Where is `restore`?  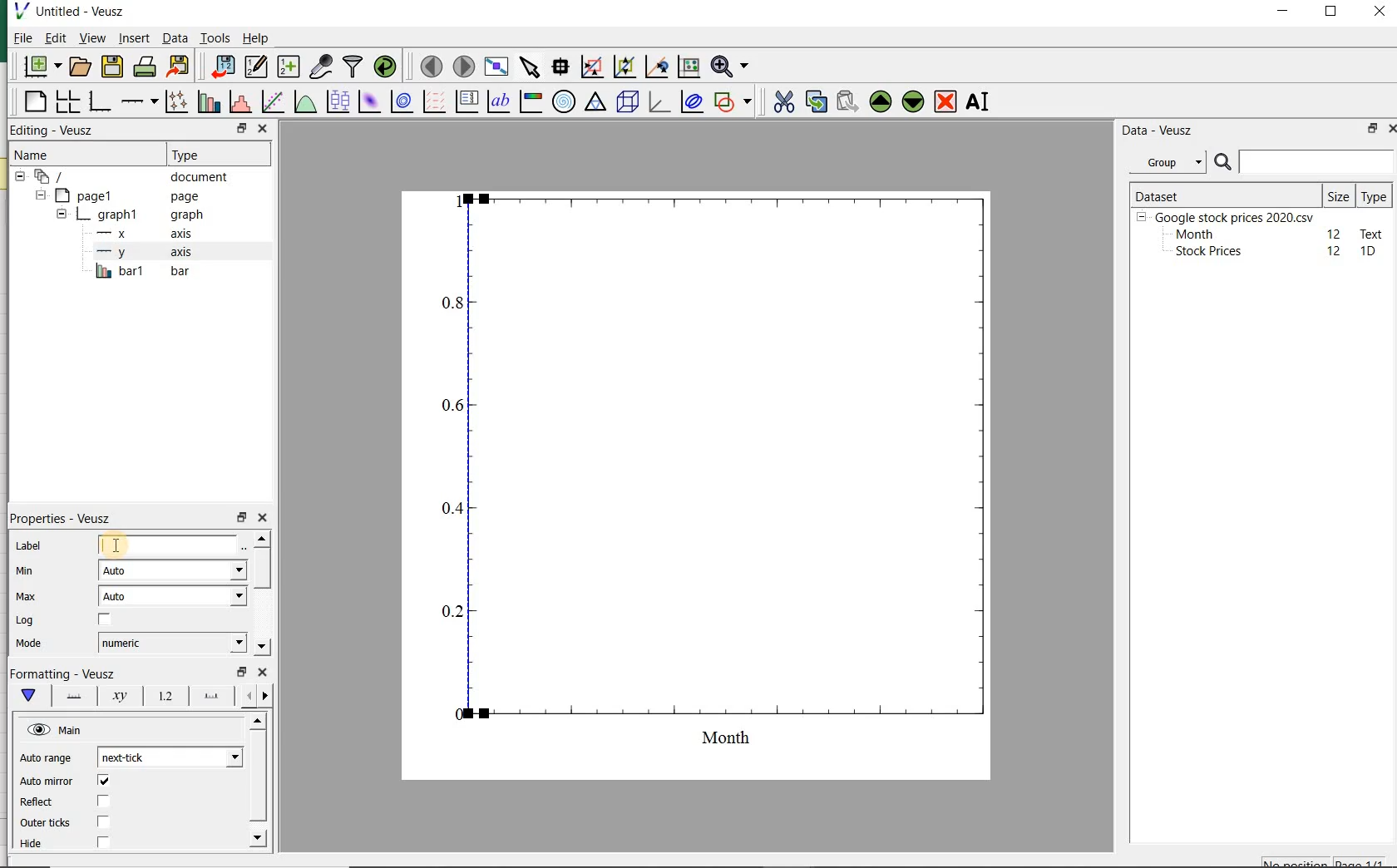 restore is located at coordinates (242, 129).